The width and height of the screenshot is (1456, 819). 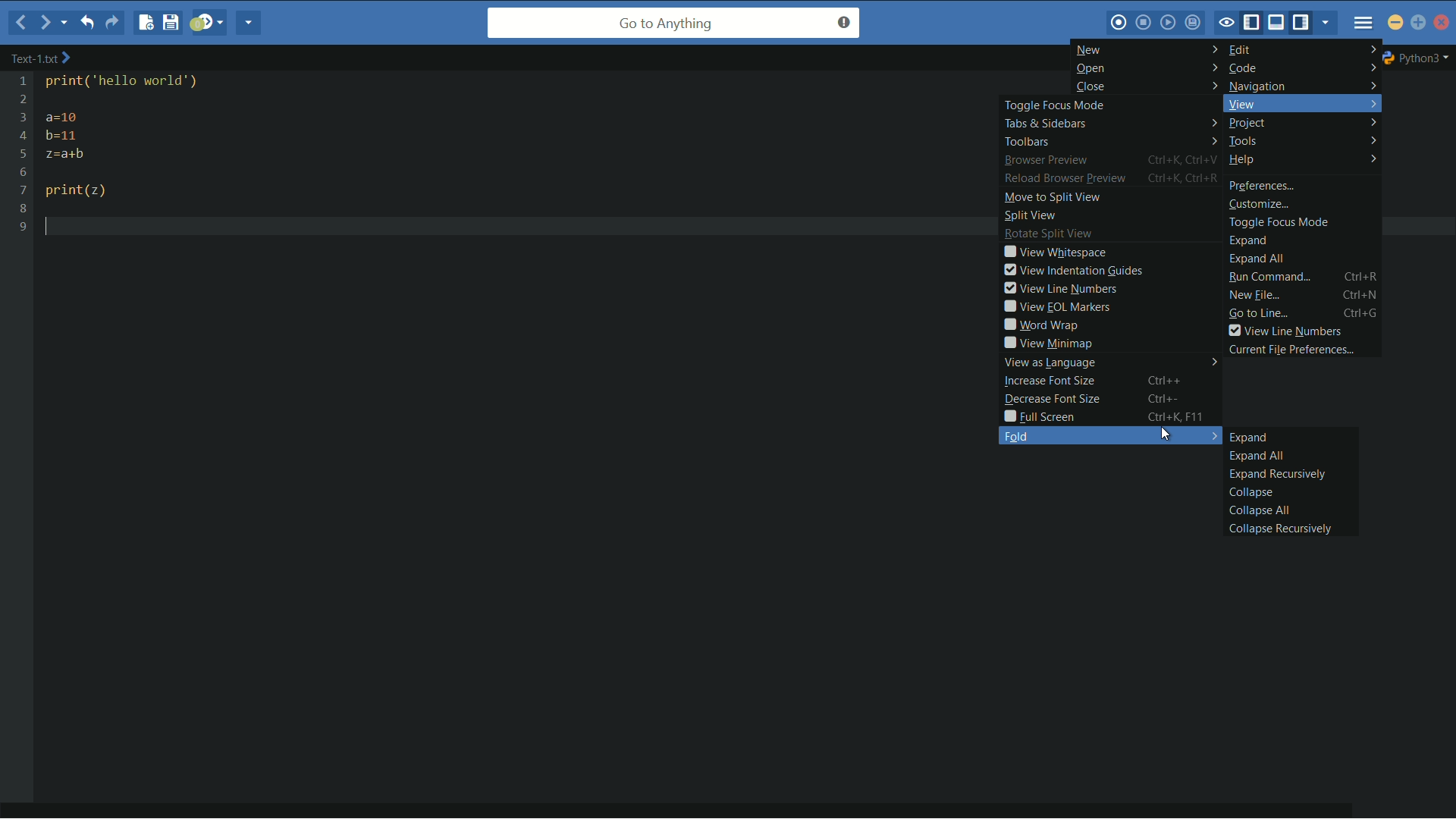 I want to click on go to line, so click(x=1257, y=314).